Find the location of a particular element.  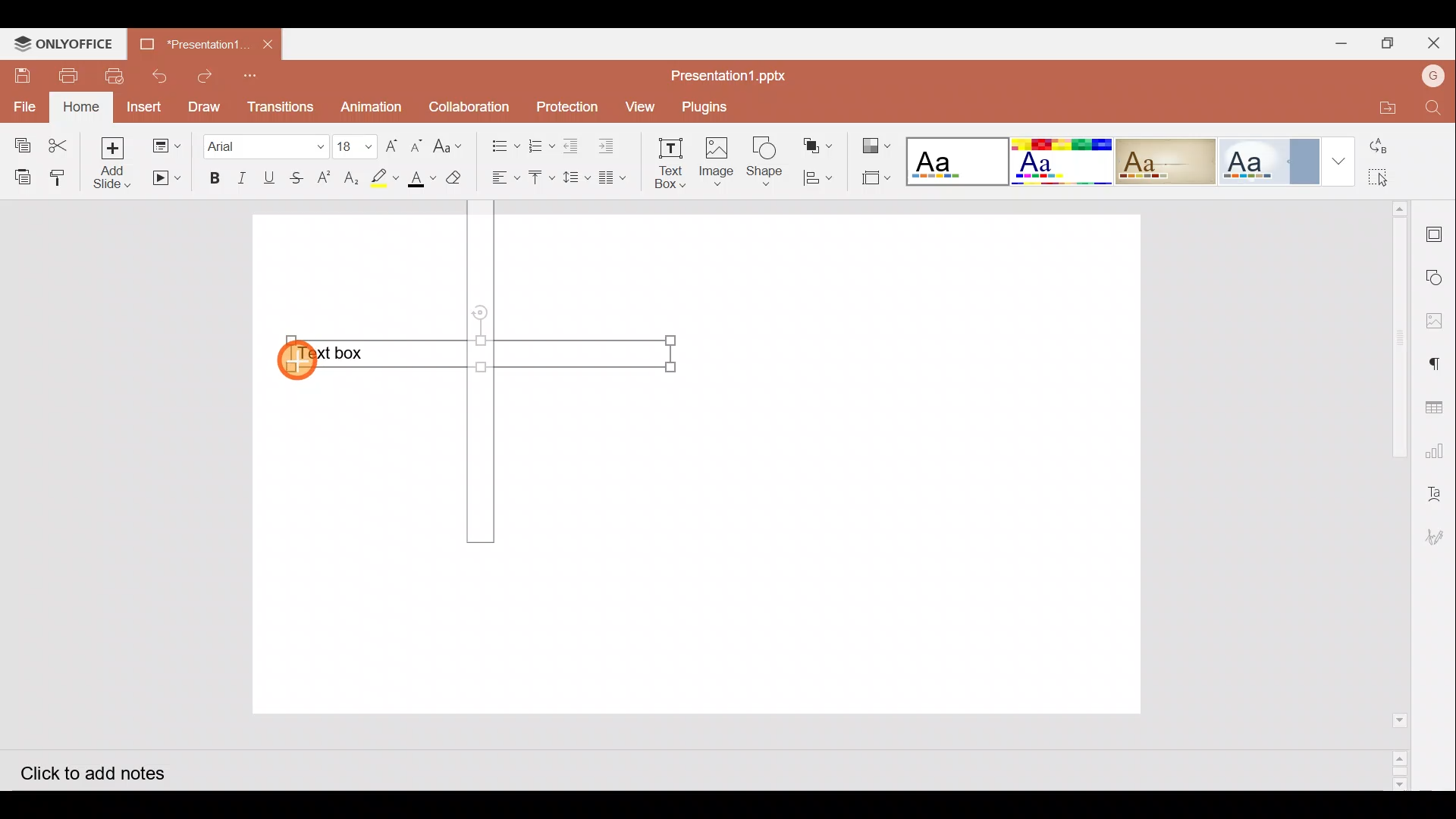

Maximize is located at coordinates (1392, 42).